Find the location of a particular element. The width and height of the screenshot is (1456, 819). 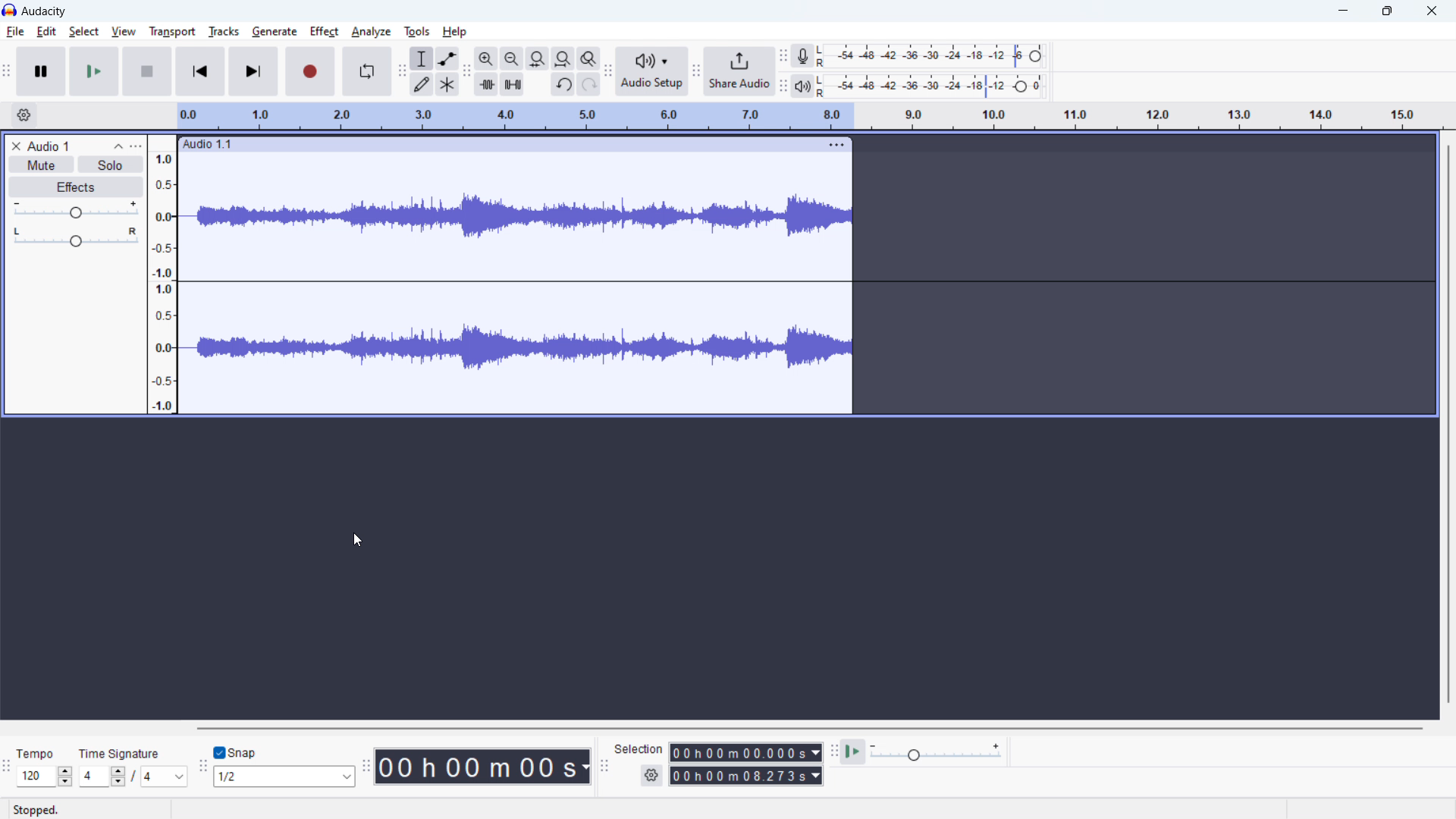

draw tool is located at coordinates (421, 85).